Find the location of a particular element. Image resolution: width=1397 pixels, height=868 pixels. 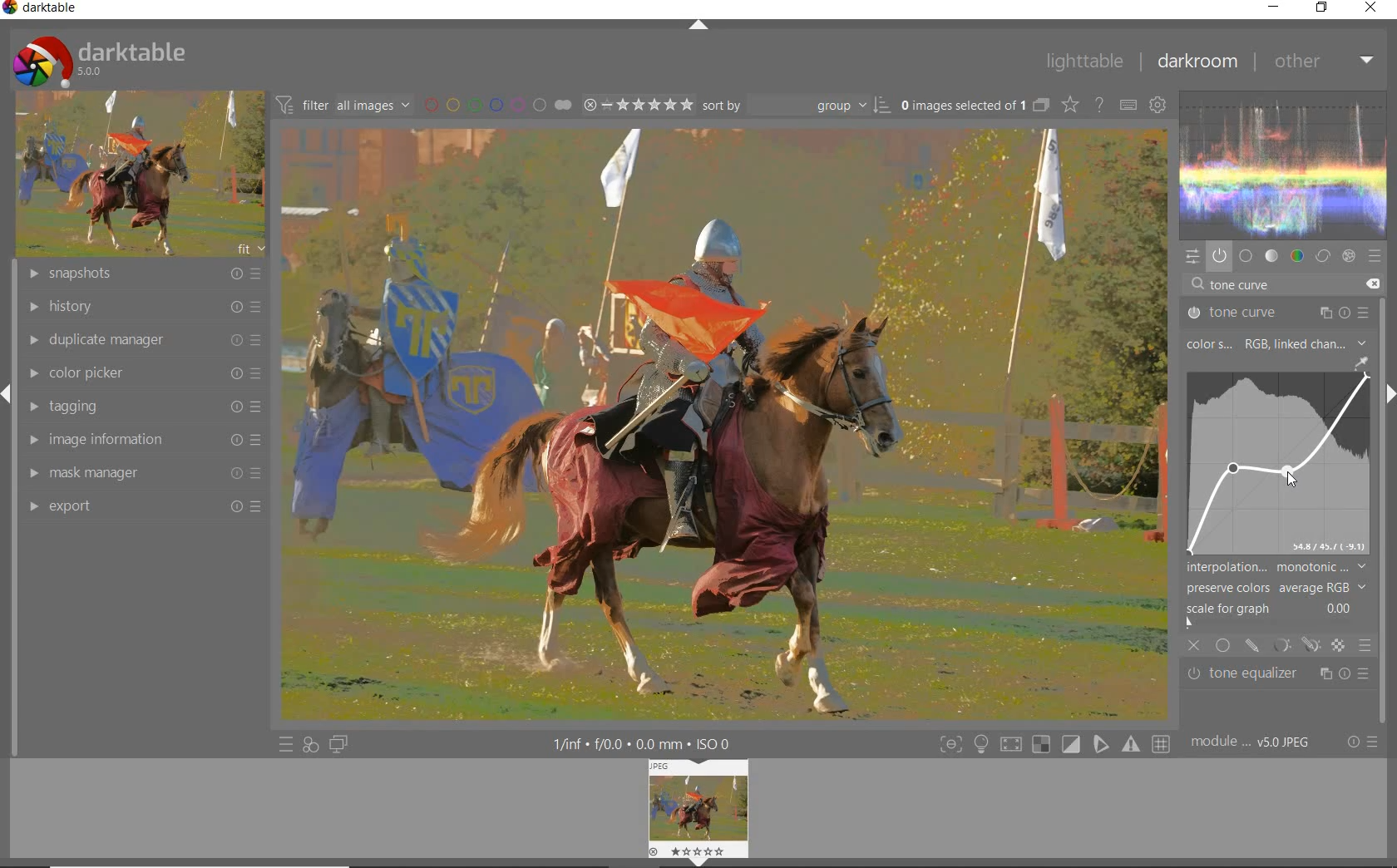

expand/collapse is located at coordinates (698, 26).